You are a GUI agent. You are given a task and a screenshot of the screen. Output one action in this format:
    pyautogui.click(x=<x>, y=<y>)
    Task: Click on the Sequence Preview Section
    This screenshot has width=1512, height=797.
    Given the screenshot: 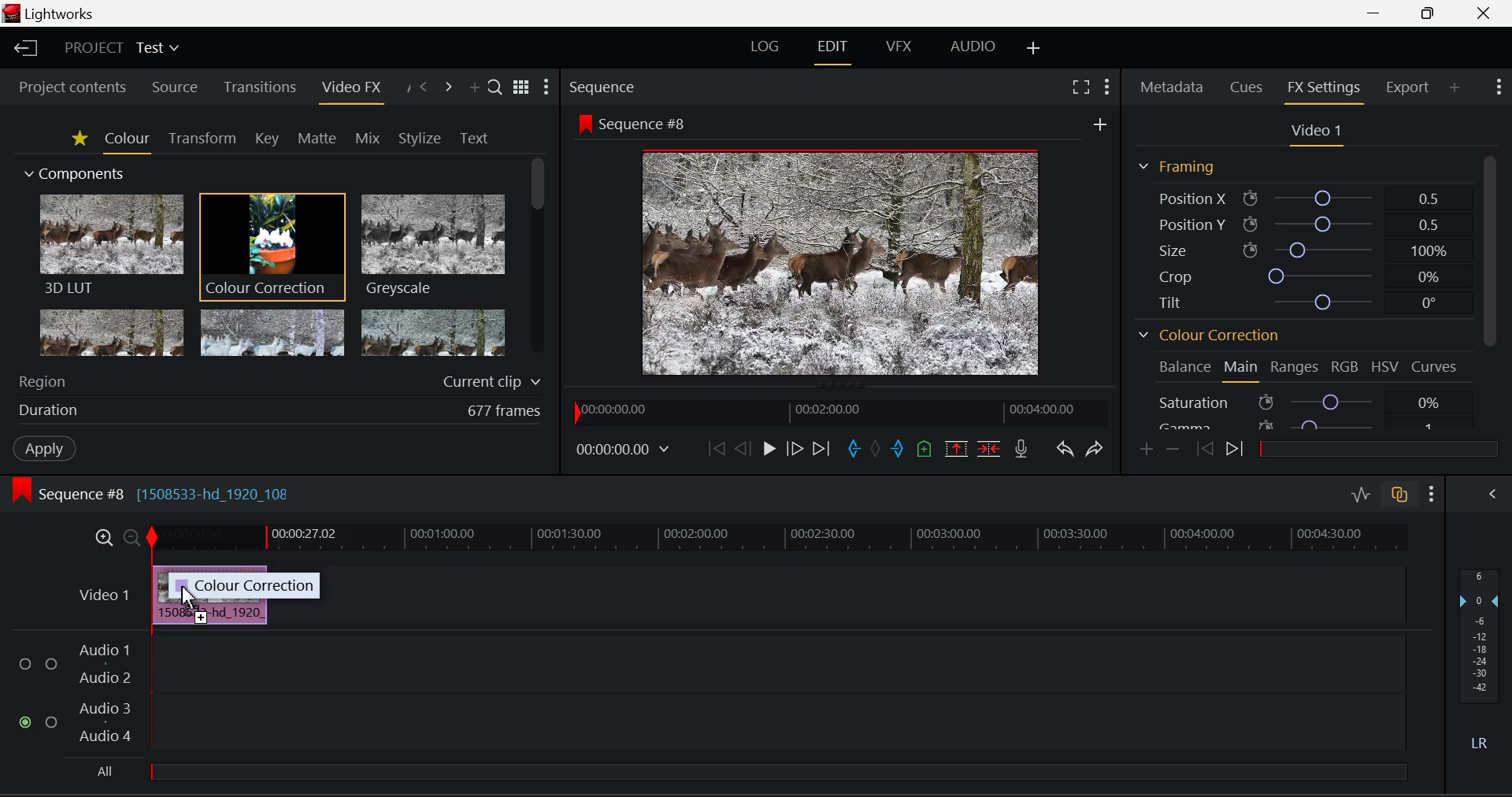 What is the action you would take?
    pyautogui.click(x=606, y=88)
    